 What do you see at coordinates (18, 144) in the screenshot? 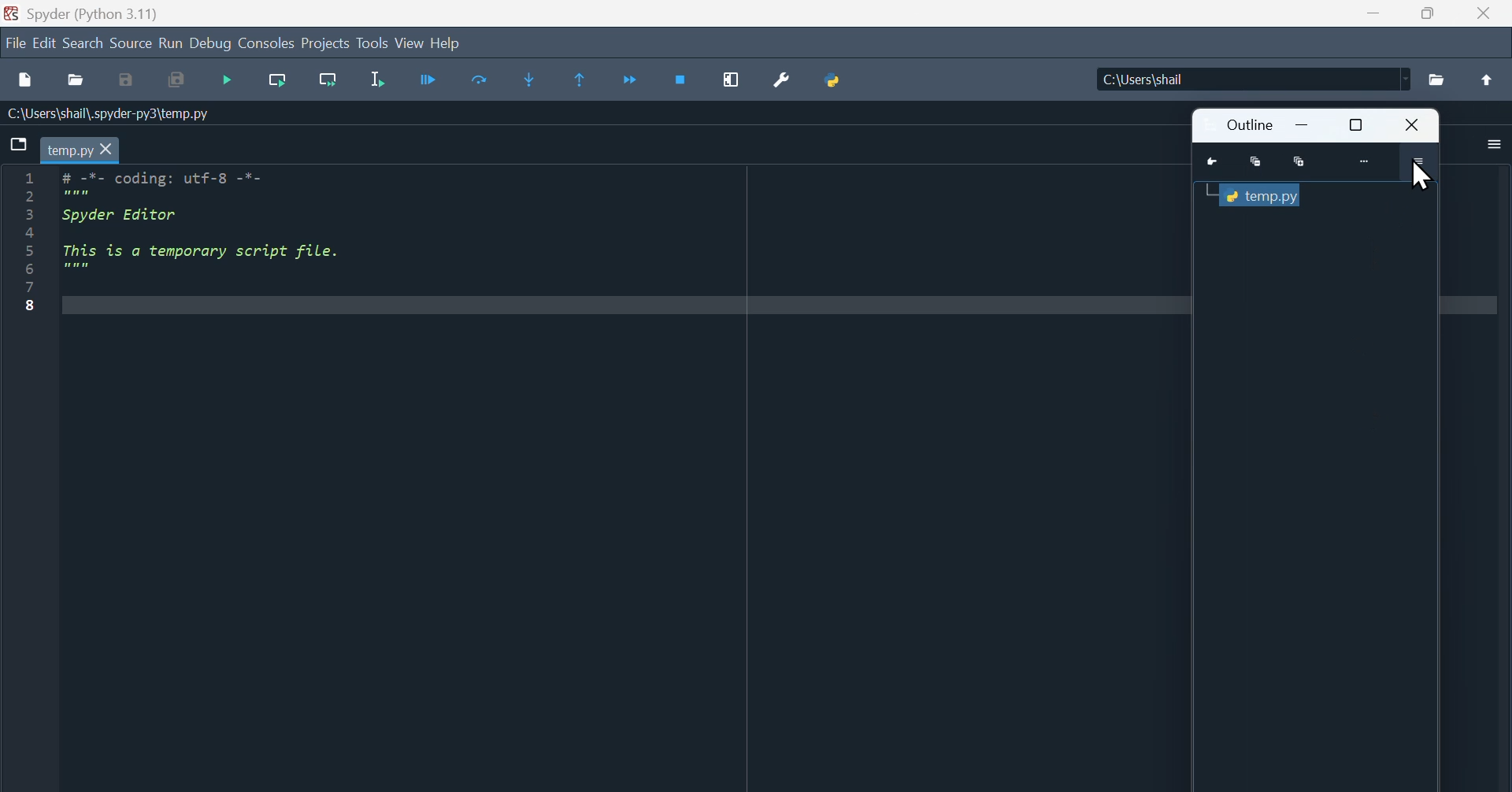
I see `Browse tabs` at bounding box center [18, 144].